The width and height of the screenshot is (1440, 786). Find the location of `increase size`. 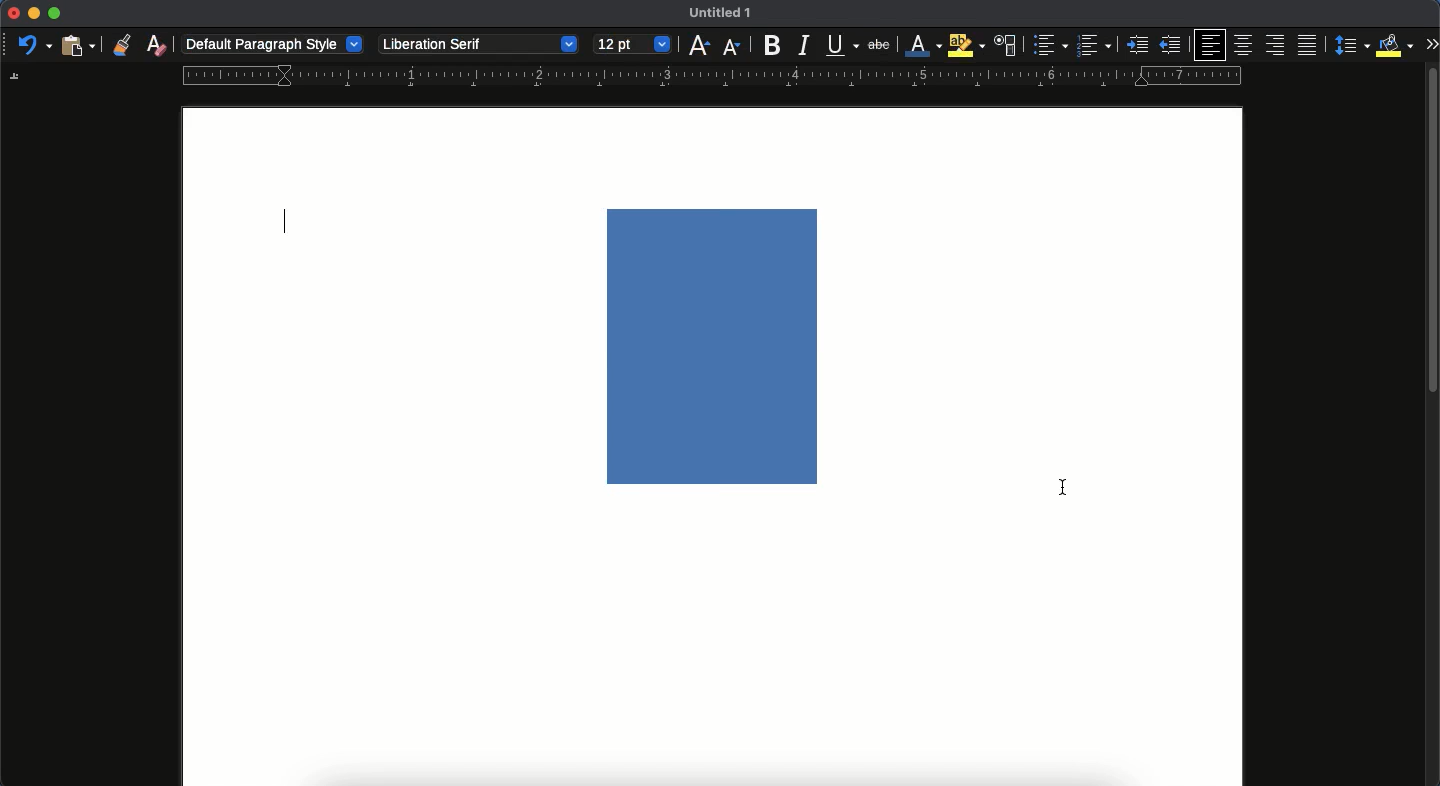

increase size is located at coordinates (698, 46).